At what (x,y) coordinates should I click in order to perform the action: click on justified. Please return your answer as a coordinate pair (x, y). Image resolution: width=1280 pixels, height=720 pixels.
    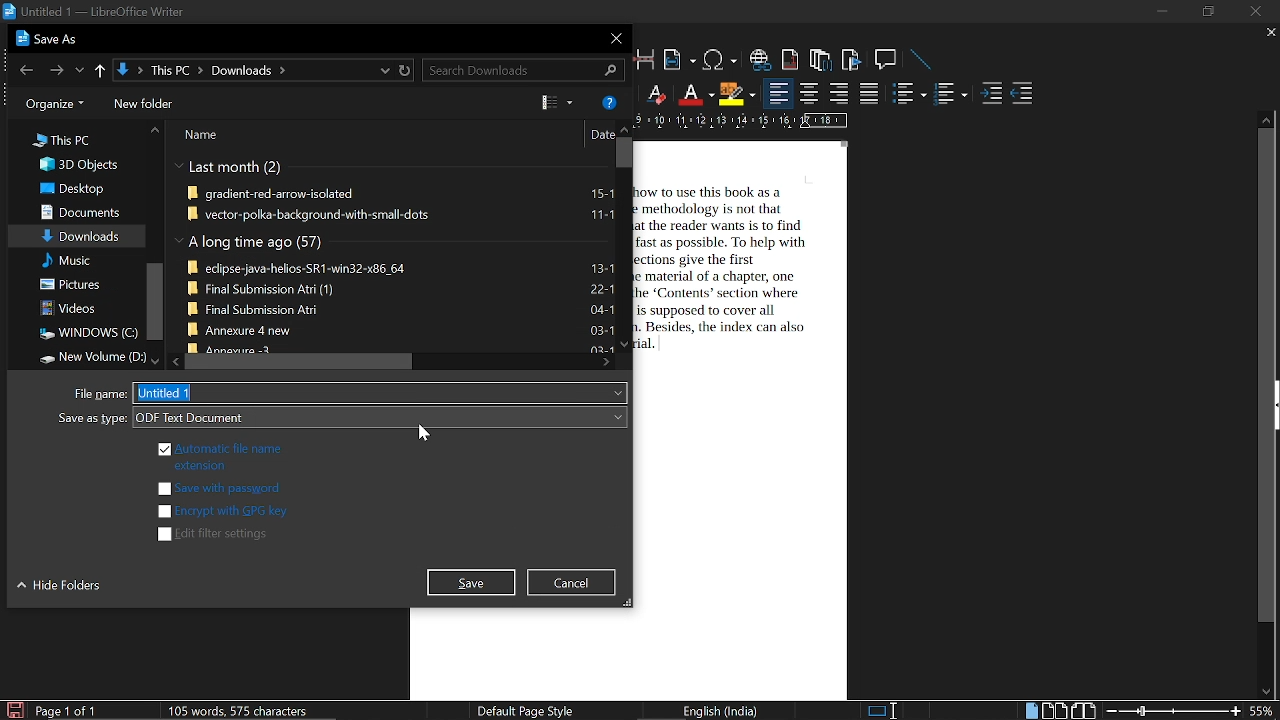
    Looking at the image, I should click on (870, 93).